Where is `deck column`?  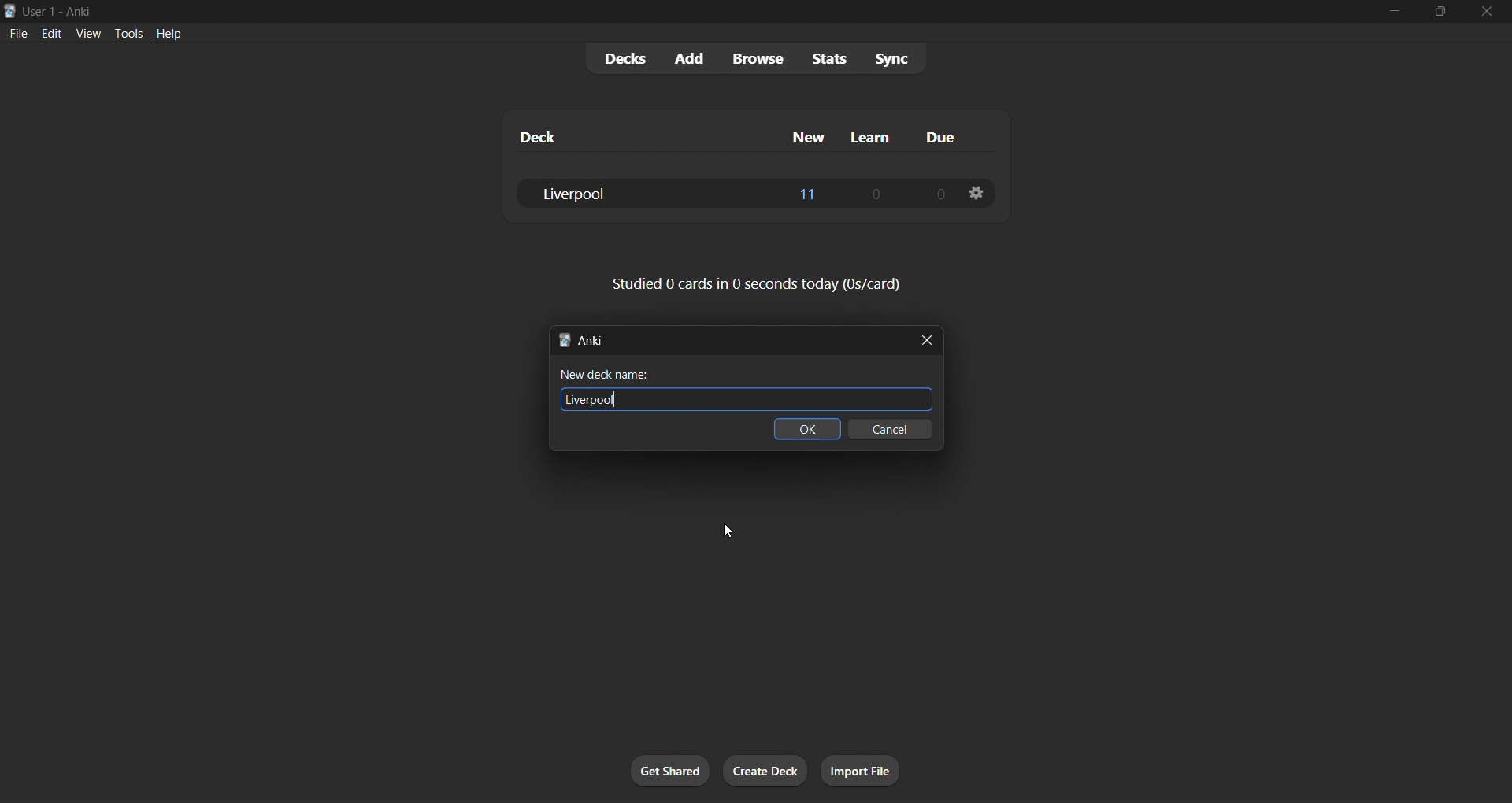 deck column is located at coordinates (636, 137).